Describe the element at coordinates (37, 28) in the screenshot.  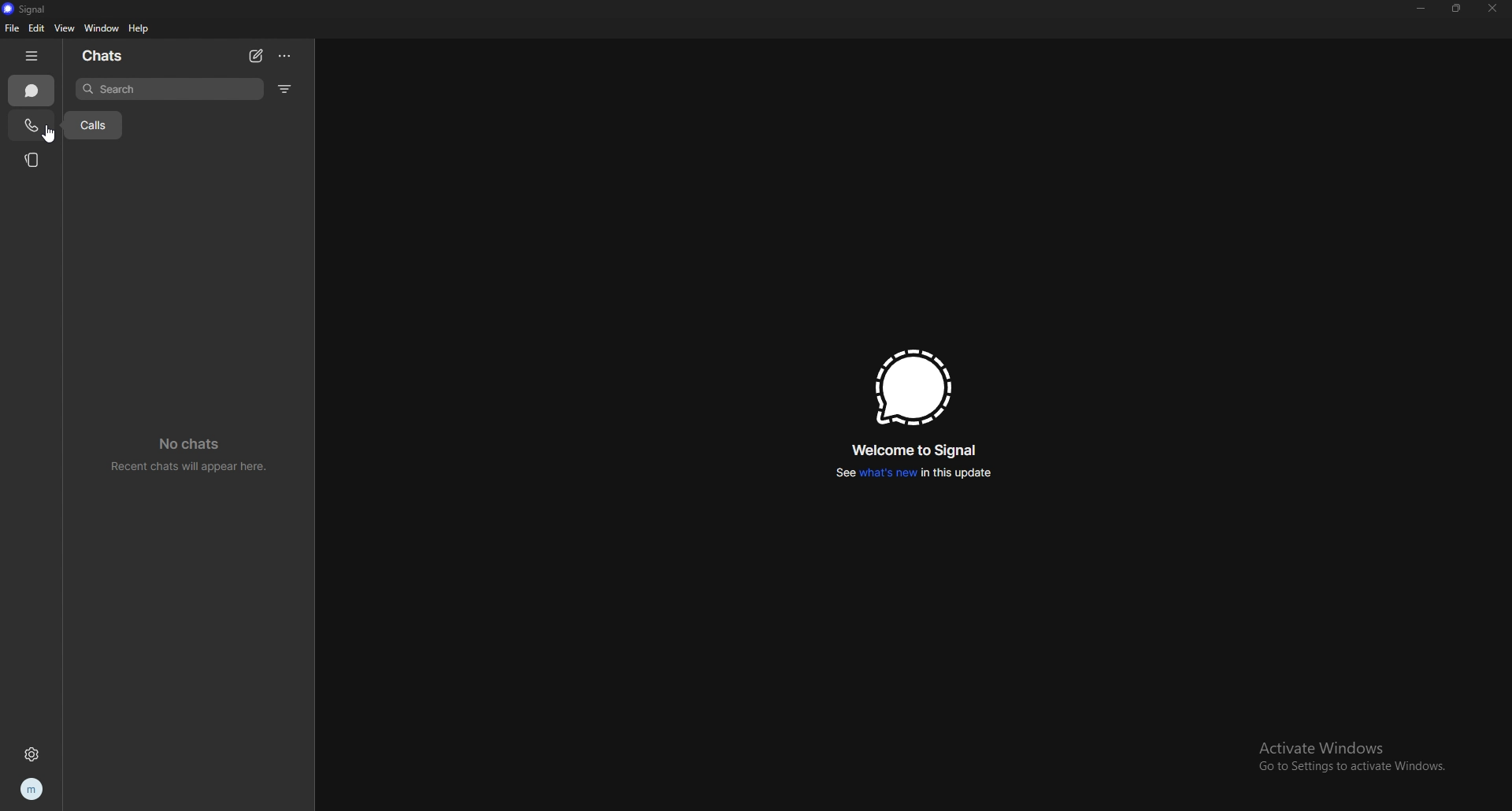
I see `edit` at that location.